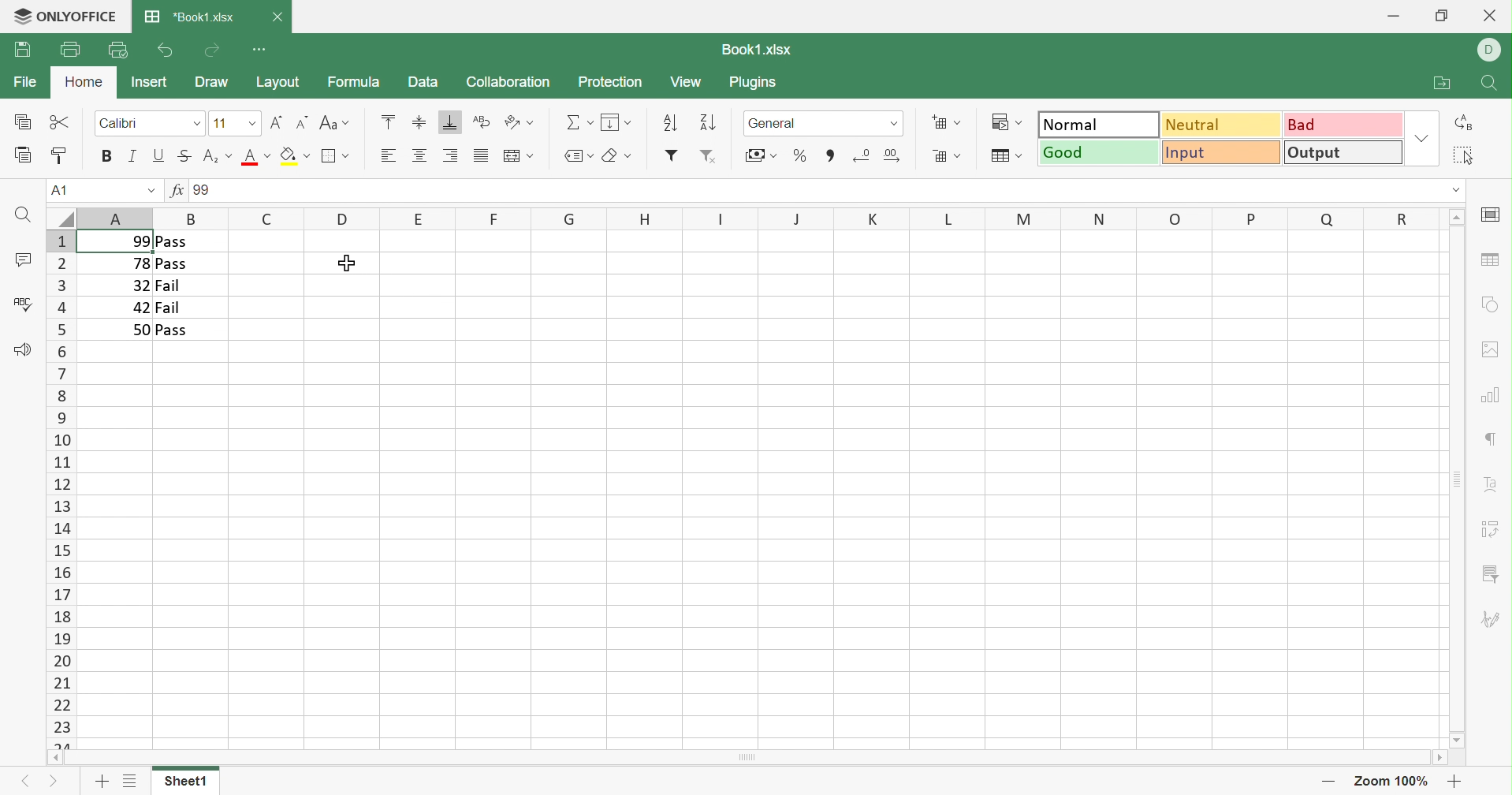 This screenshot has width=1512, height=795. Describe the element at coordinates (861, 155) in the screenshot. I see `Decrease decimal` at that location.